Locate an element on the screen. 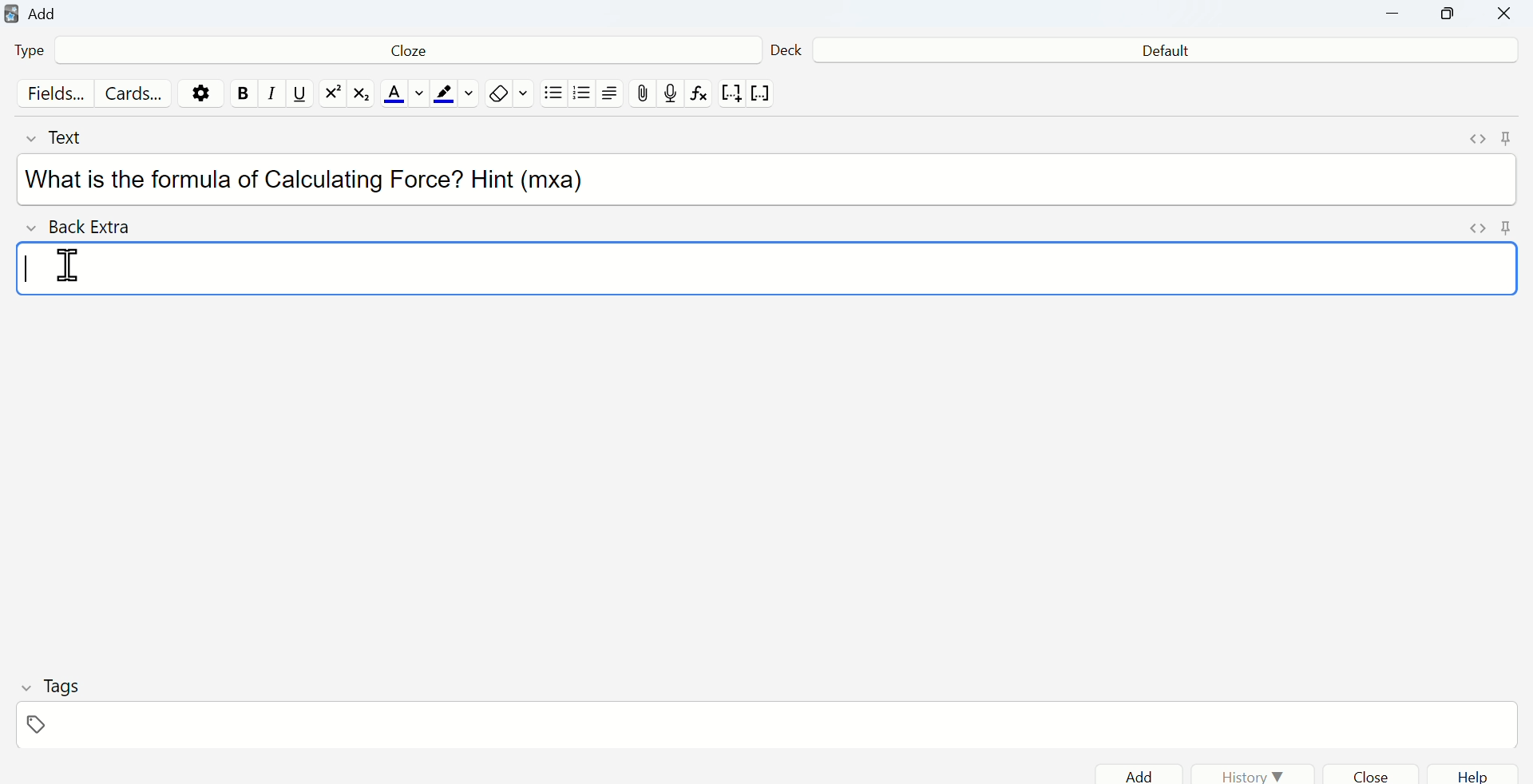  vector is located at coordinates (763, 94).